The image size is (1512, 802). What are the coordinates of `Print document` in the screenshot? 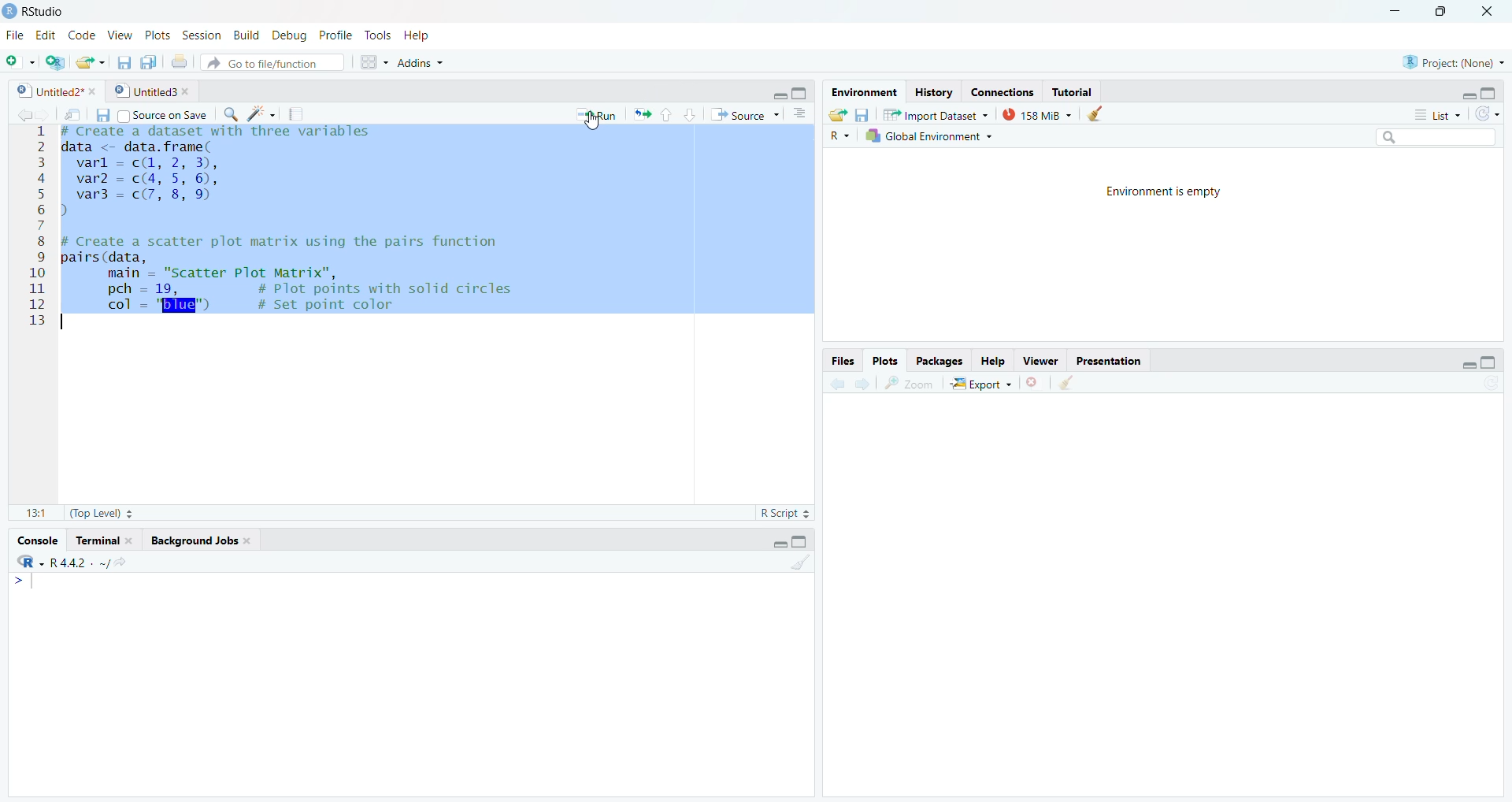 It's located at (180, 61).